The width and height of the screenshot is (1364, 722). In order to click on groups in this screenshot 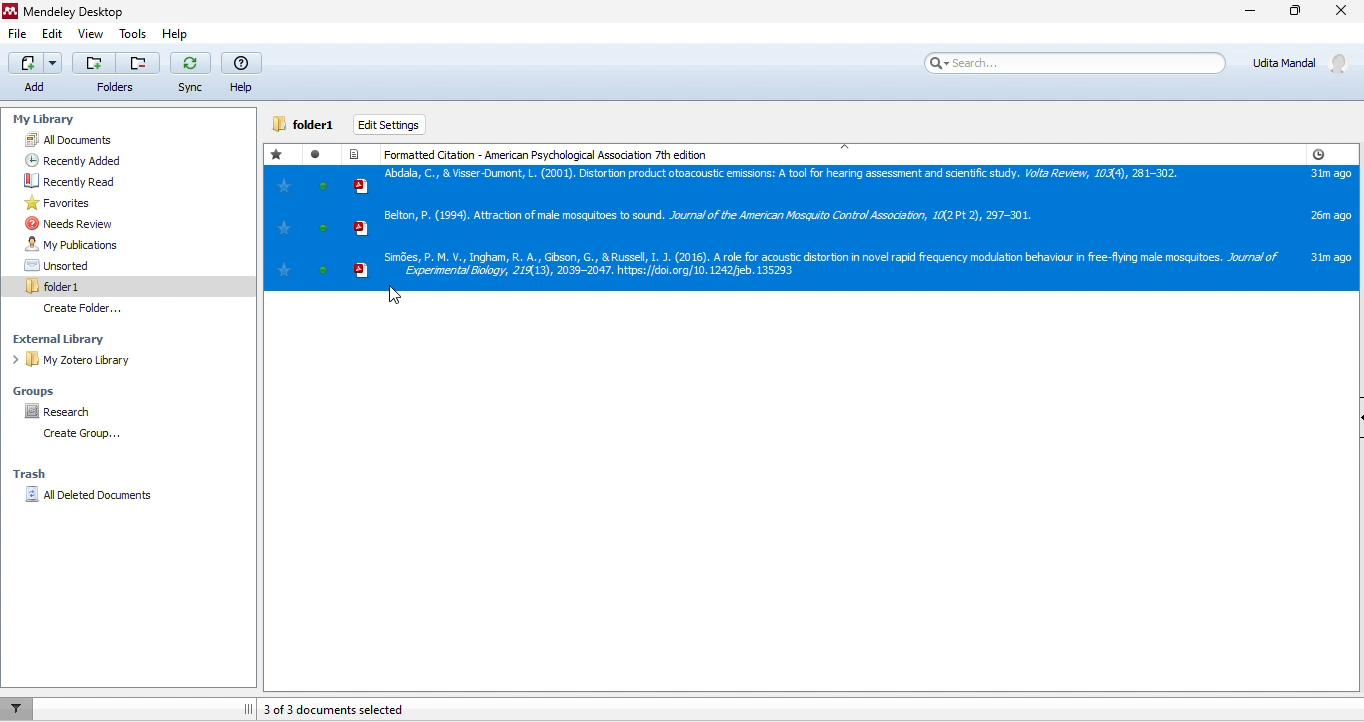, I will do `click(56, 386)`.